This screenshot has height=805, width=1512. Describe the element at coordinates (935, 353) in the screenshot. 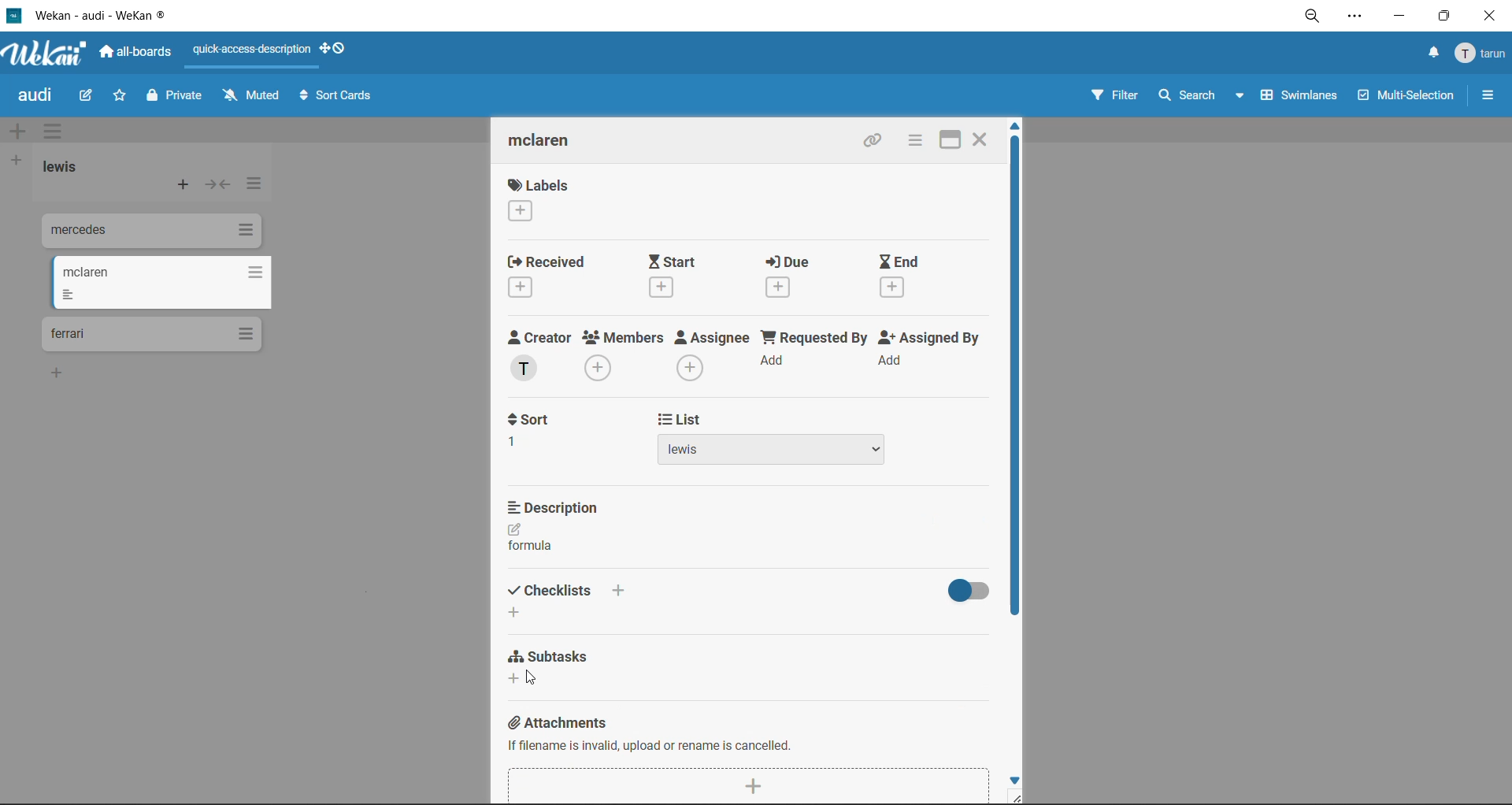

I see `assigned by` at that location.